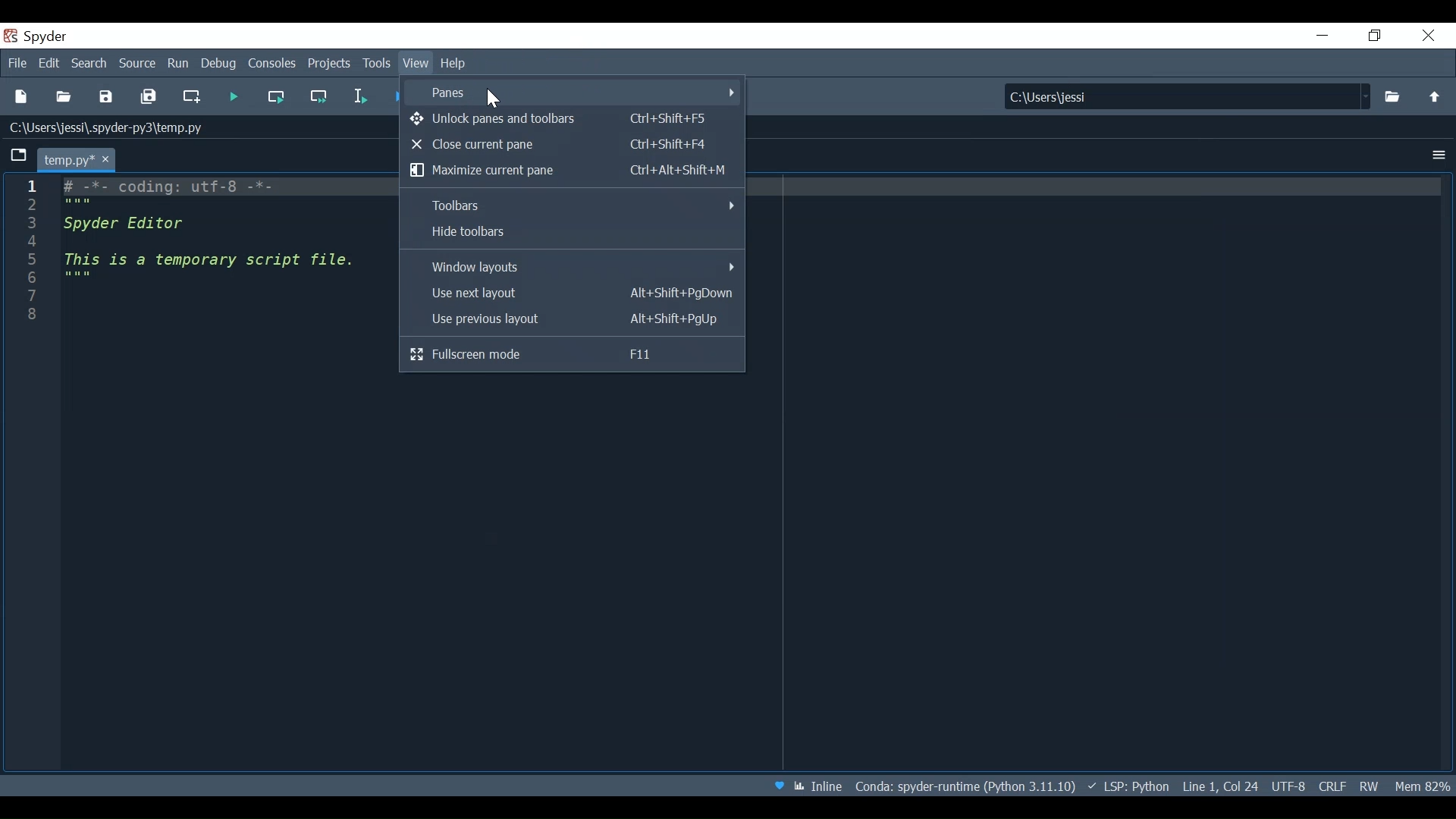  I want to click on Source, so click(137, 64).